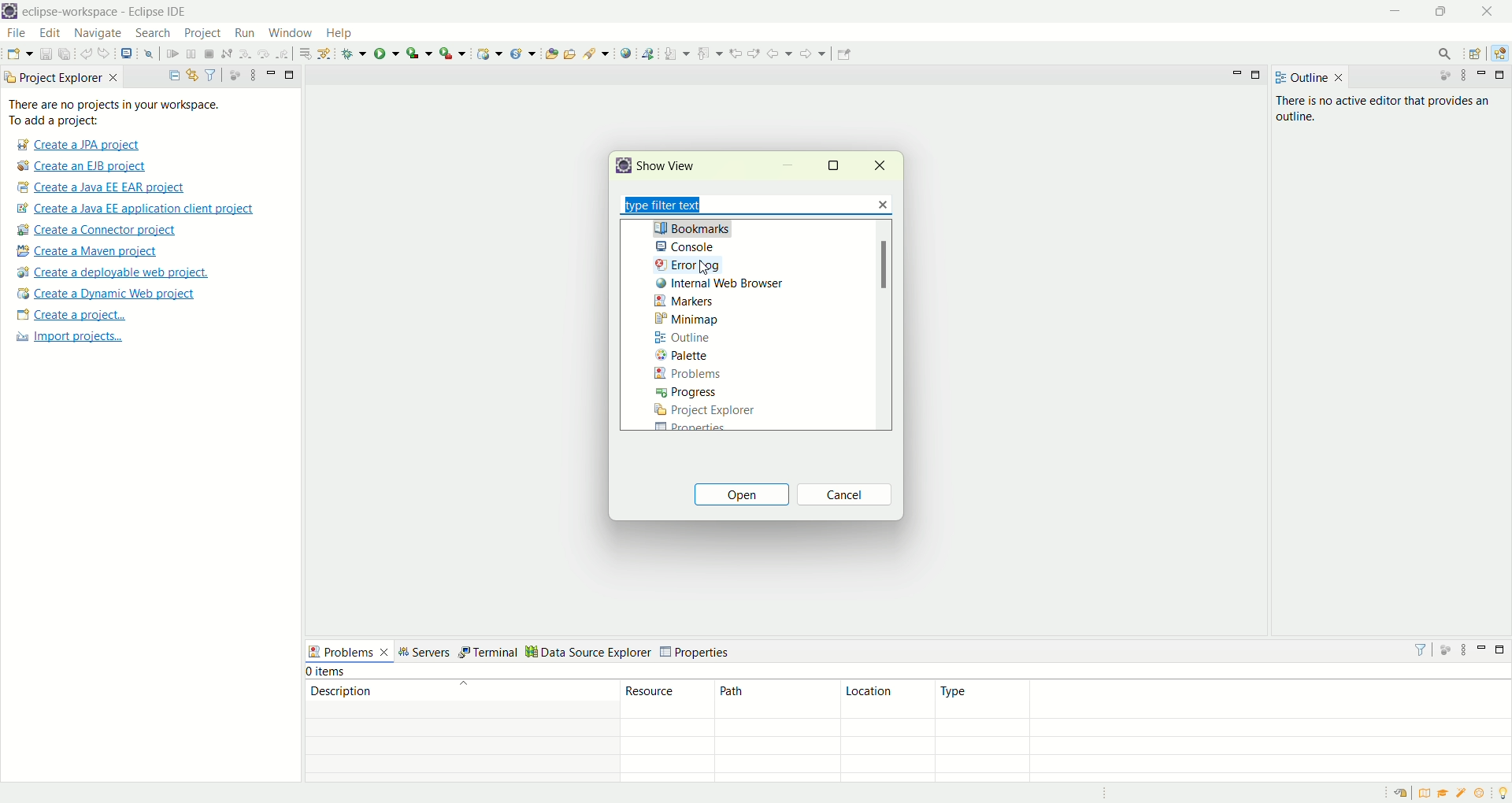 This screenshot has height=803, width=1512. What do you see at coordinates (886, 324) in the screenshot?
I see `scroll bar` at bounding box center [886, 324].